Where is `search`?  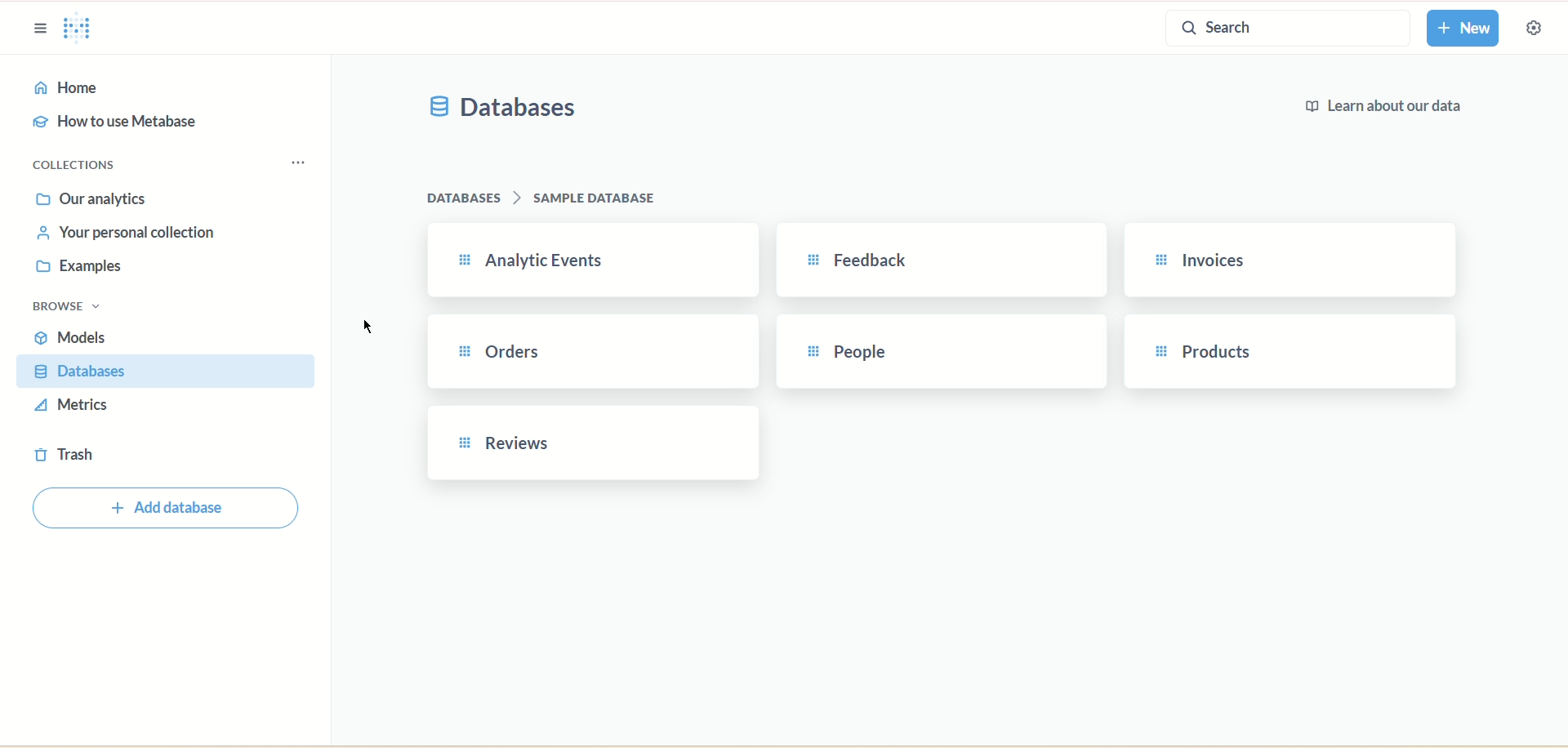
search is located at coordinates (1291, 29).